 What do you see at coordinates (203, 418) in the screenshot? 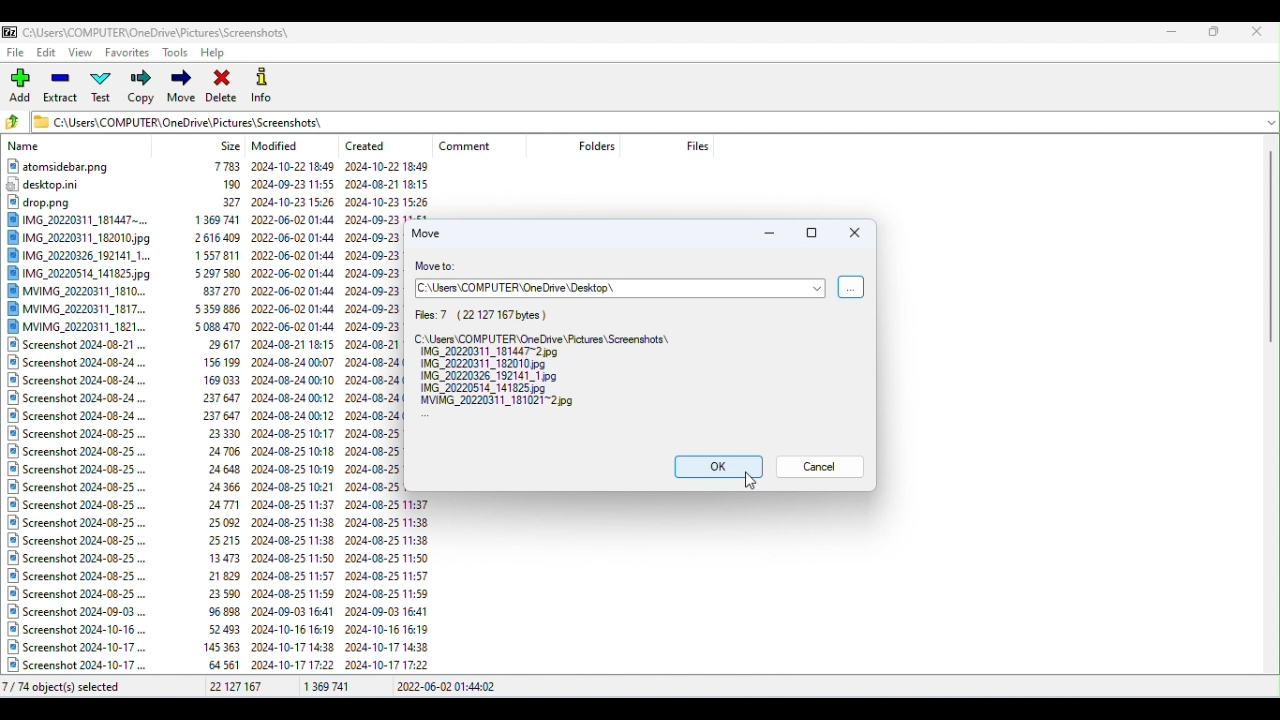
I see `Files` at bounding box center [203, 418].